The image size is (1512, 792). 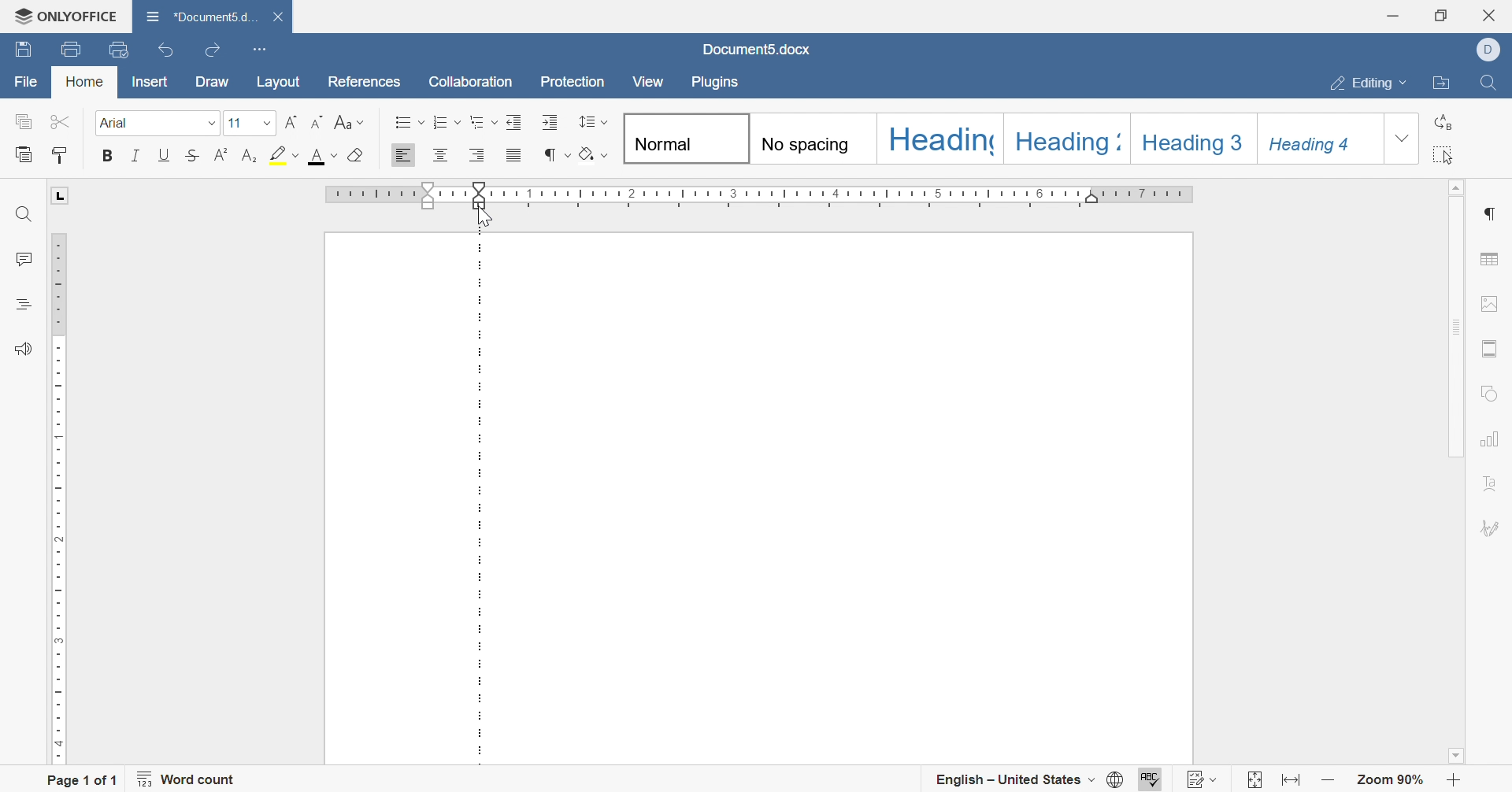 What do you see at coordinates (1454, 756) in the screenshot?
I see `scroll down` at bounding box center [1454, 756].